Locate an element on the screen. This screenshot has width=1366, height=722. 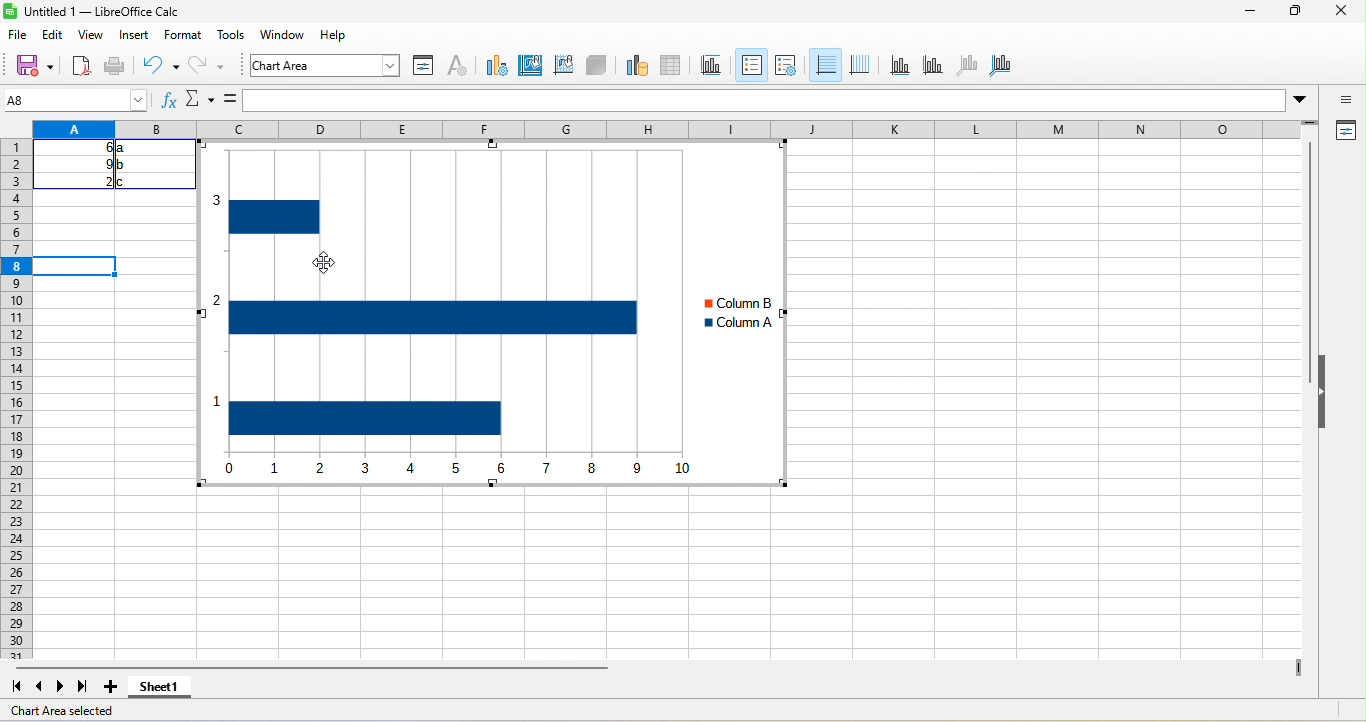
hide is located at coordinates (1326, 398).